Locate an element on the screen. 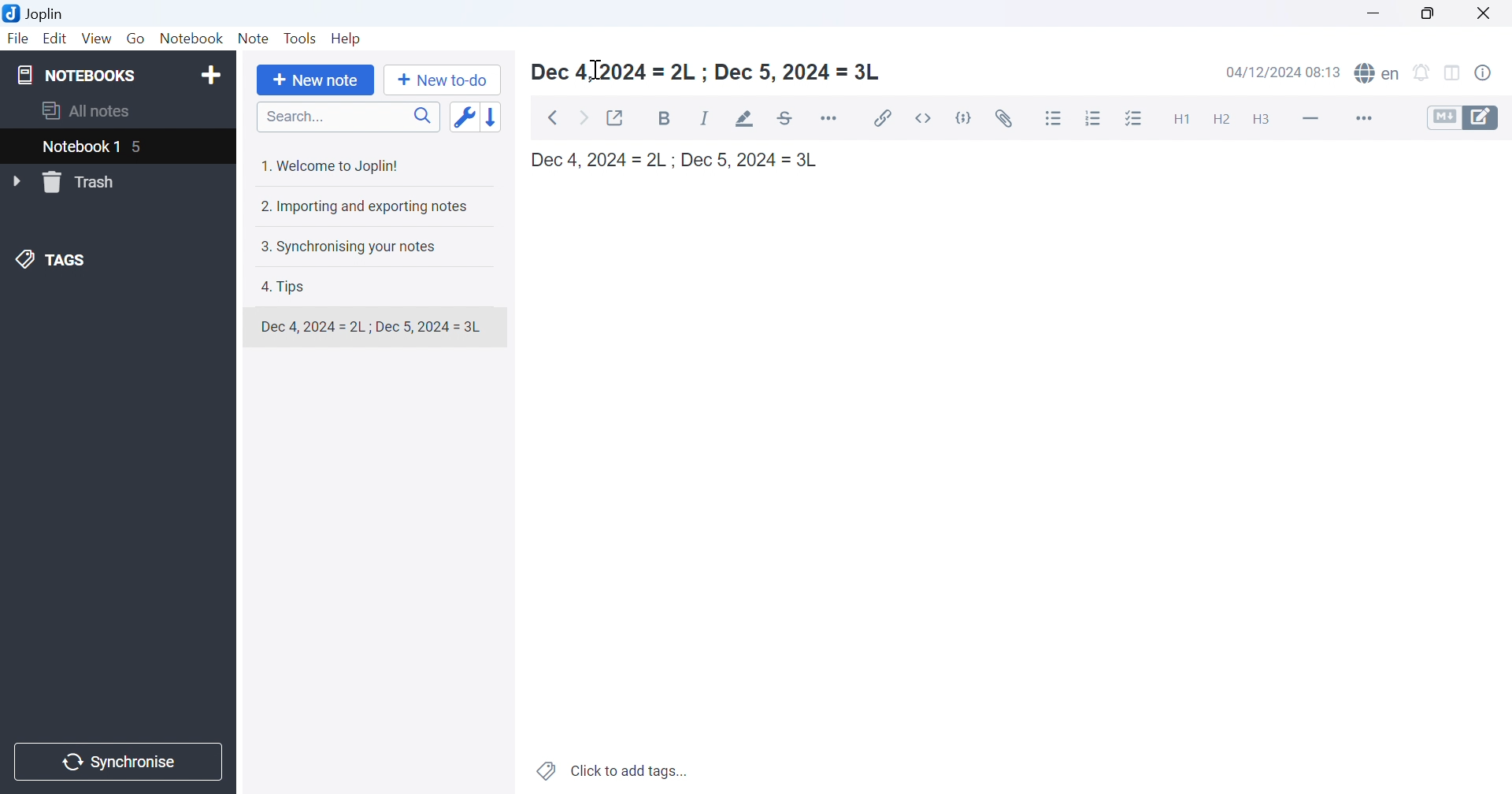 This screenshot has width=1512, height=794. Go is located at coordinates (138, 39).